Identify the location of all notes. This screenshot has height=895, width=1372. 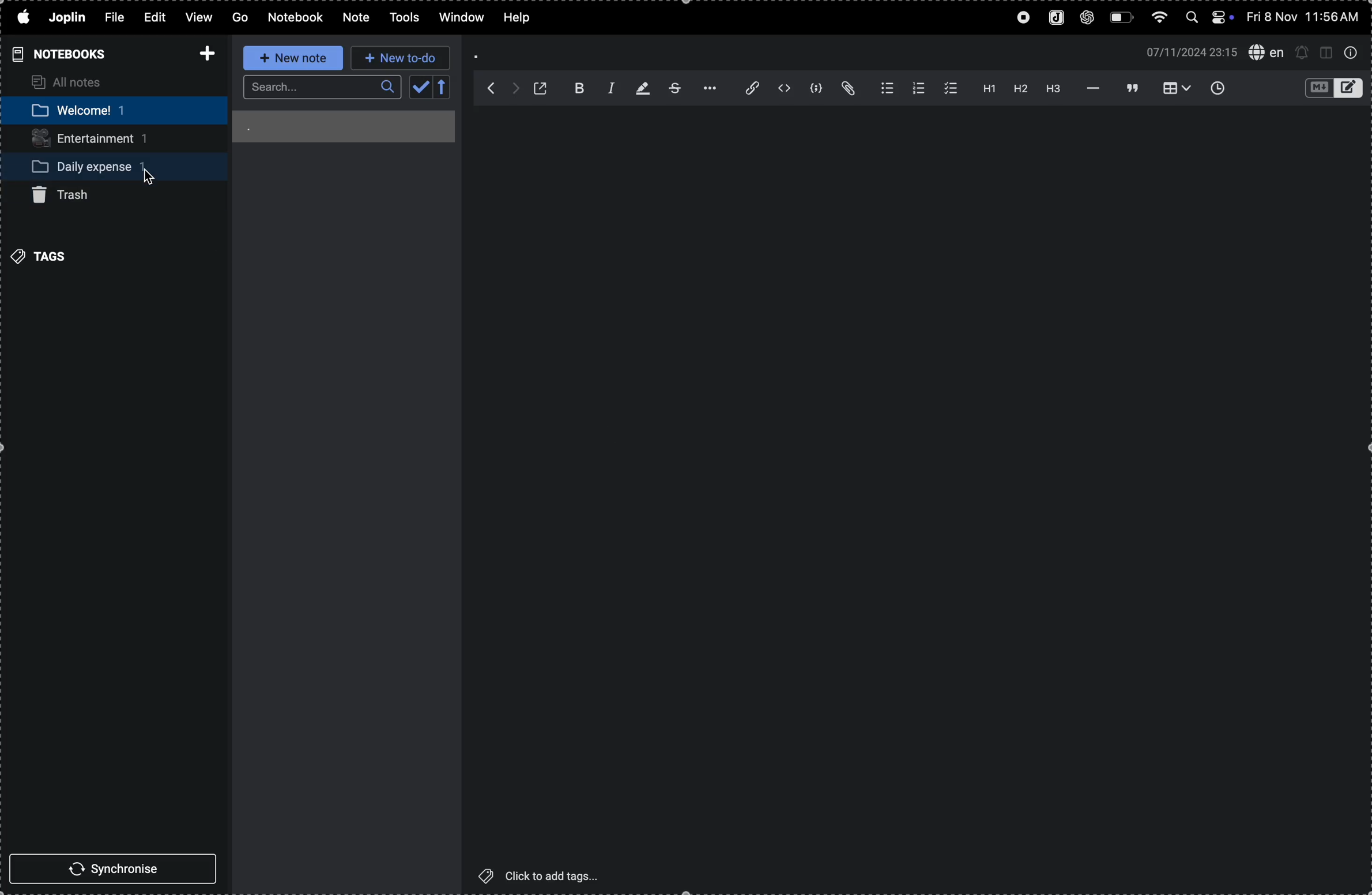
(69, 83).